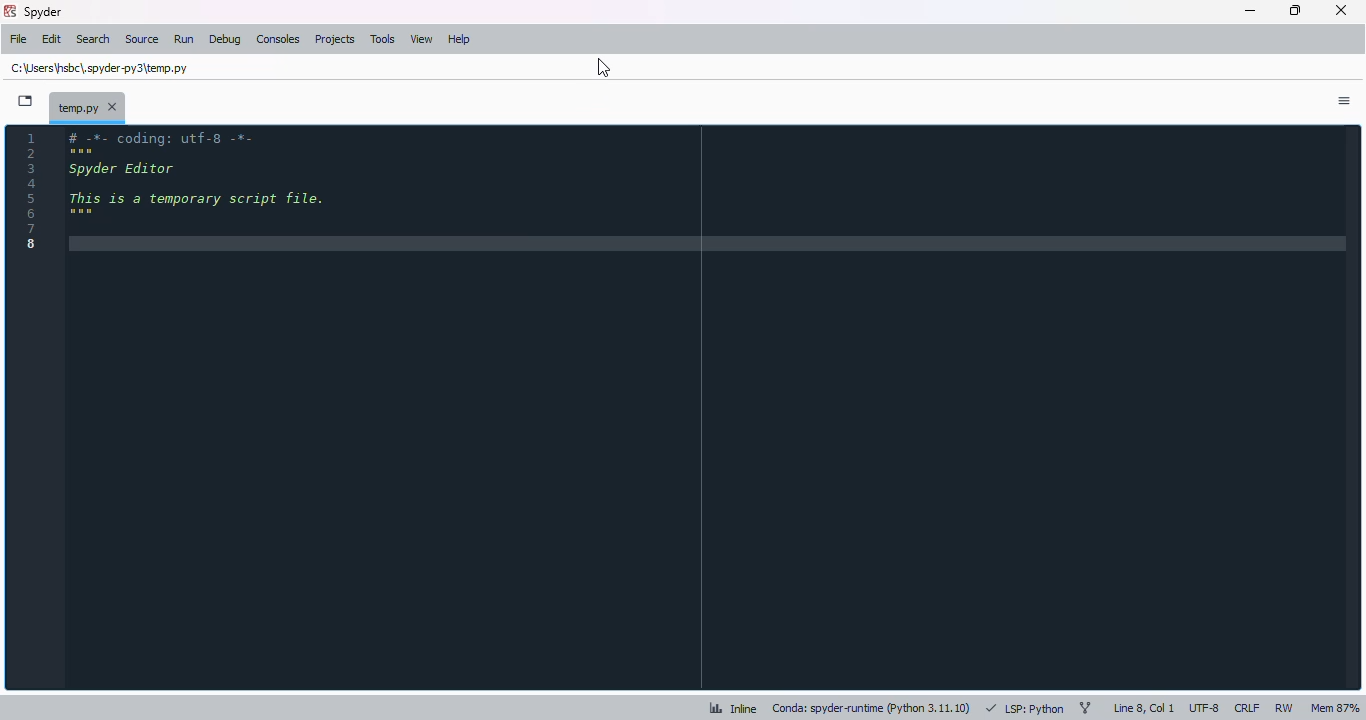 The width and height of the screenshot is (1366, 720). What do you see at coordinates (141, 39) in the screenshot?
I see `source` at bounding box center [141, 39].